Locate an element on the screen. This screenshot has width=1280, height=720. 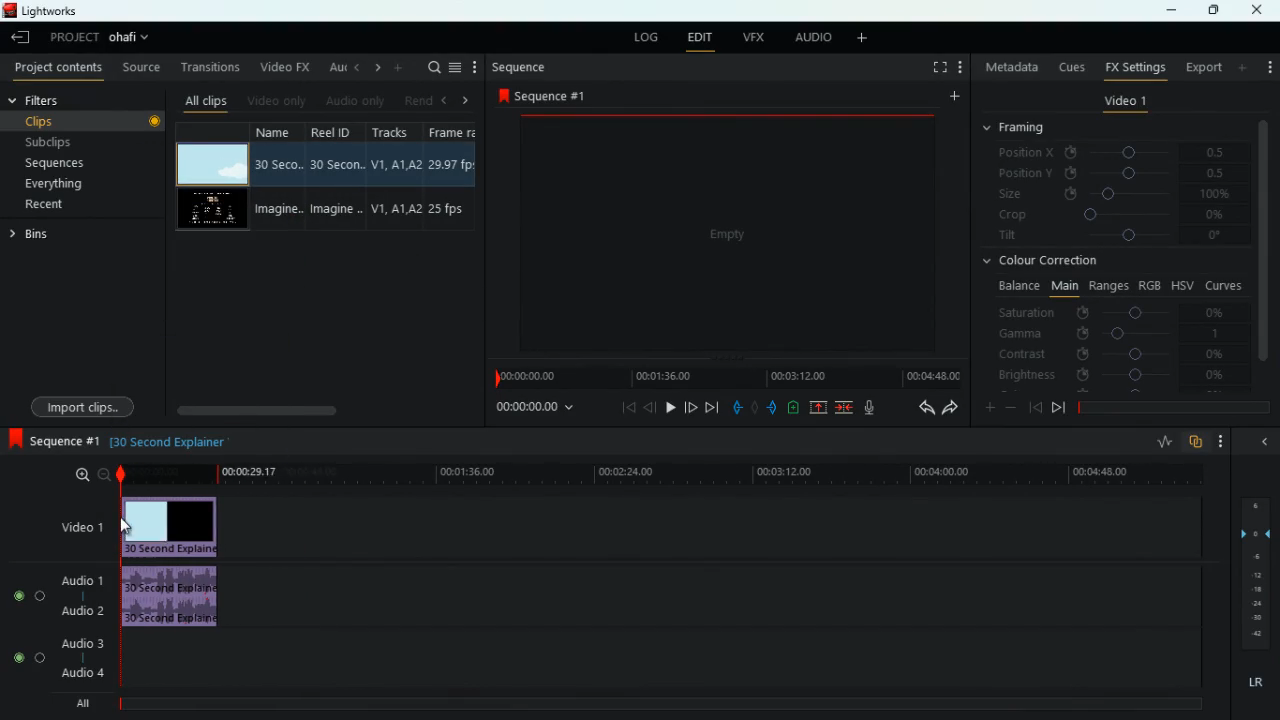
Audio is located at coordinates (25, 595).